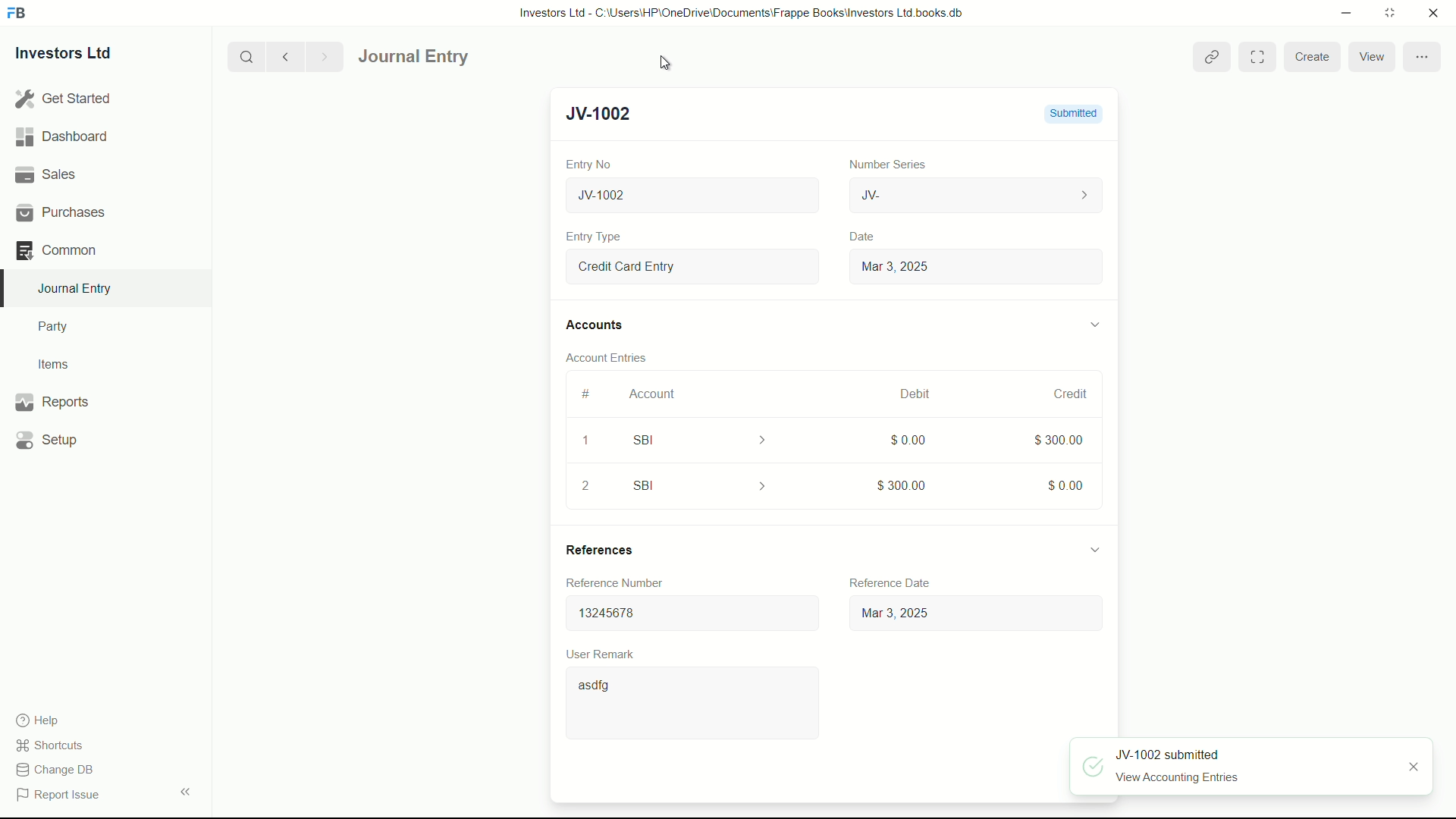 This screenshot has width=1456, height=819. What do you see at coordinates (322, 56) in the screenshot?
I see `Next` at bounding box center [322, 56].